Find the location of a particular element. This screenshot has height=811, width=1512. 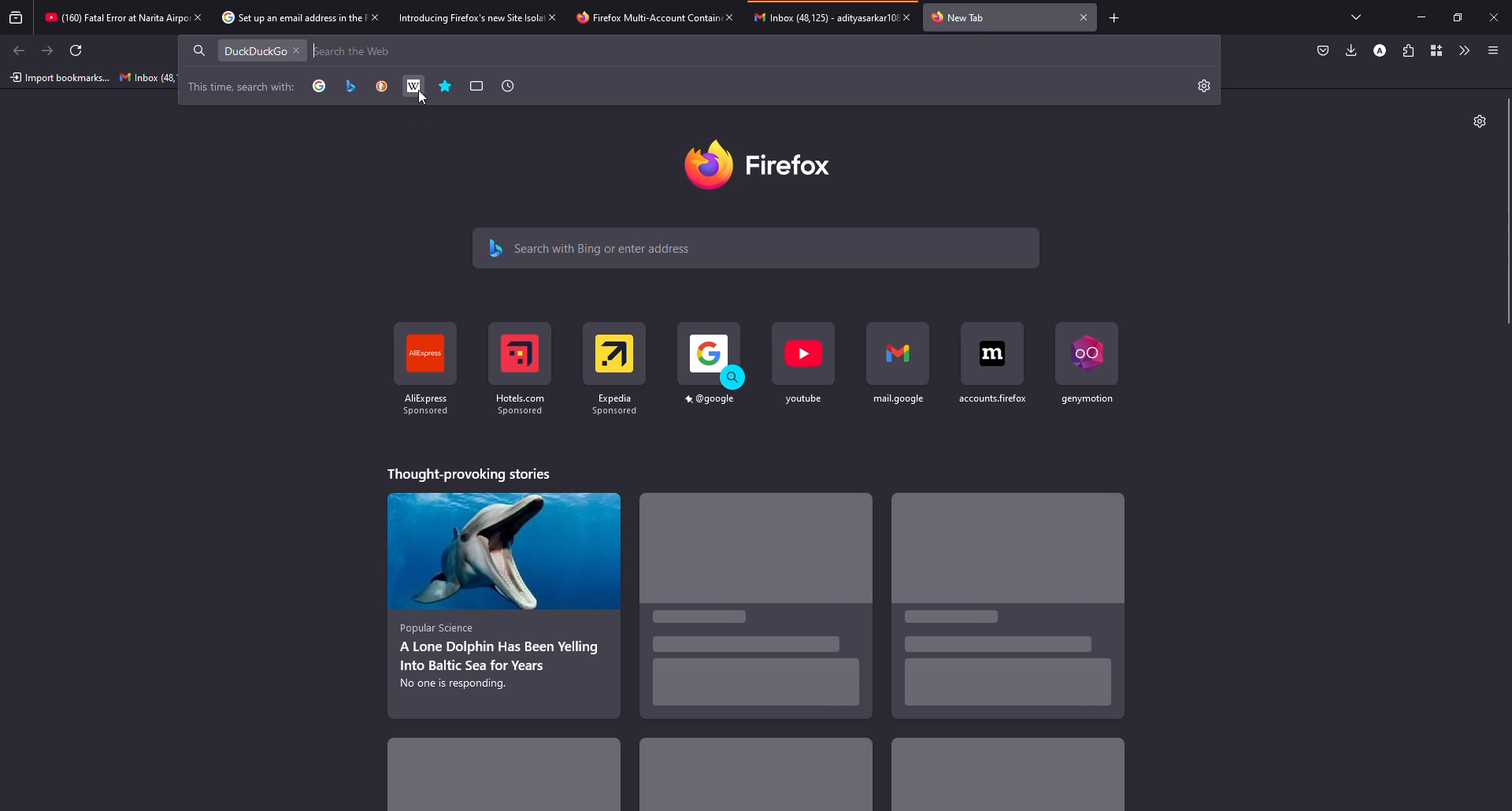

inbox is located at coordinates (147, 77).